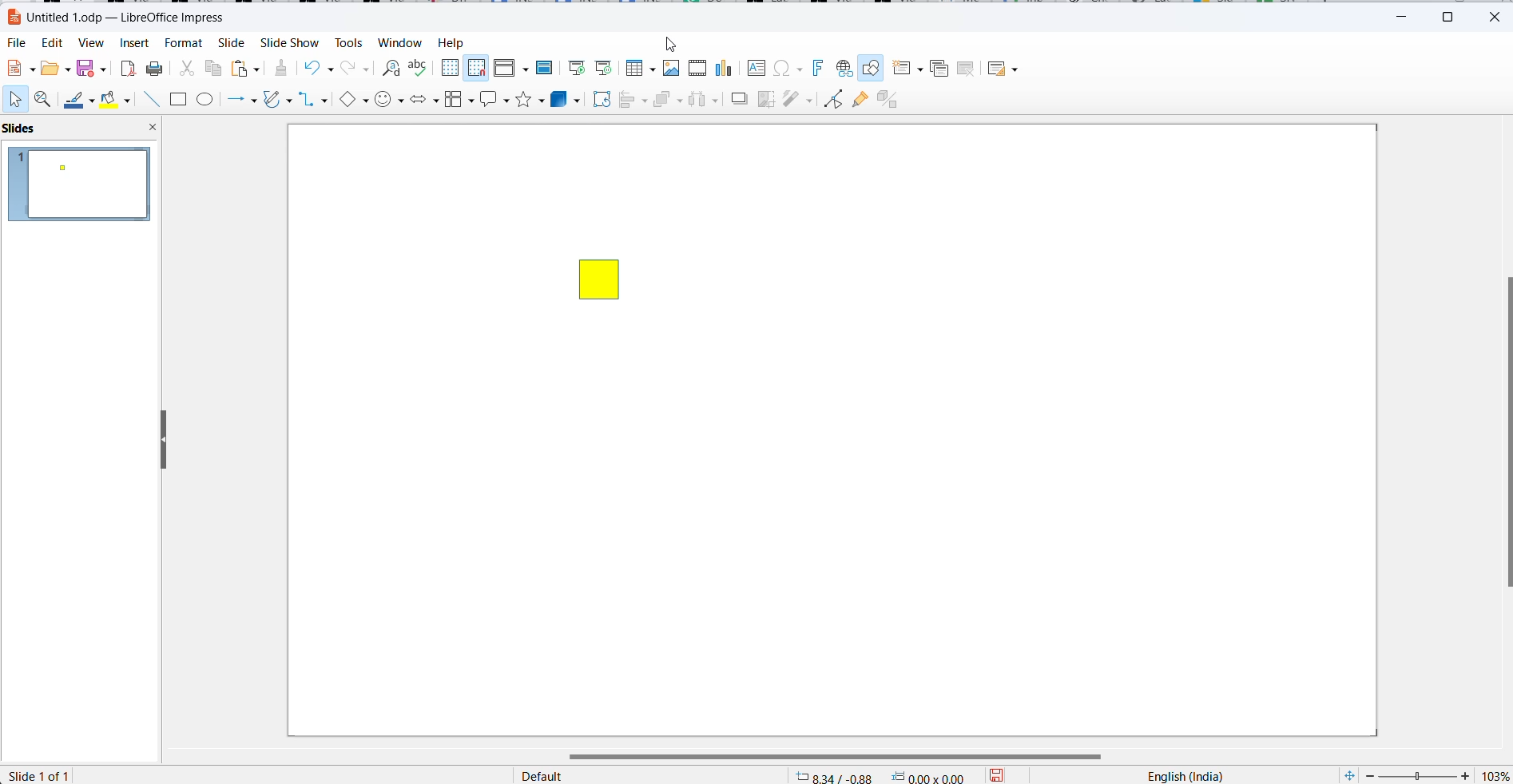  What do you see at coordinates (872, 69) in the screenshot?
I see `Show draw functions` at bounding box center [872, 69].